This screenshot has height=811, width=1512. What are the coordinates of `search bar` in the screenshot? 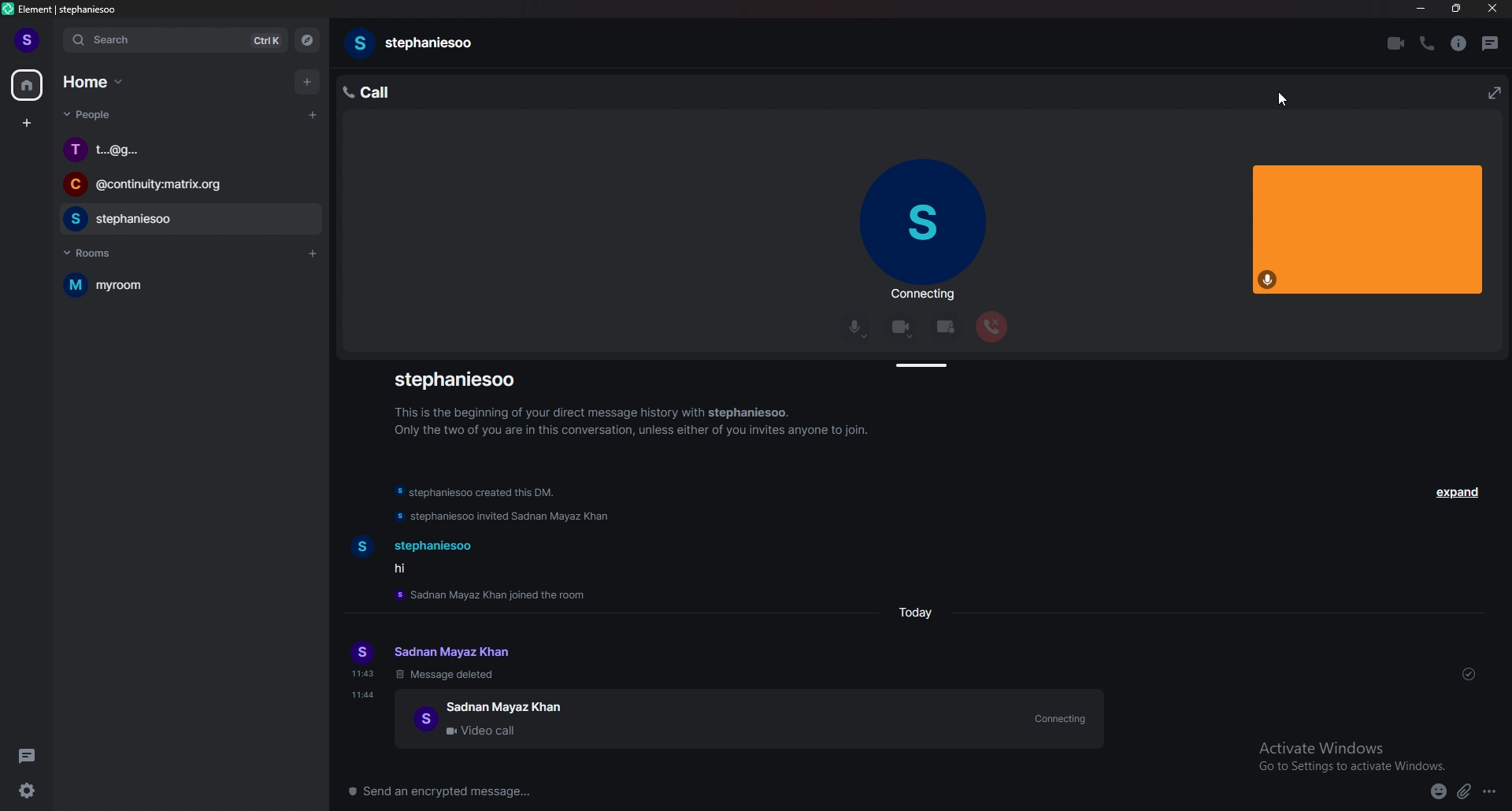 It's located at (175, 41).